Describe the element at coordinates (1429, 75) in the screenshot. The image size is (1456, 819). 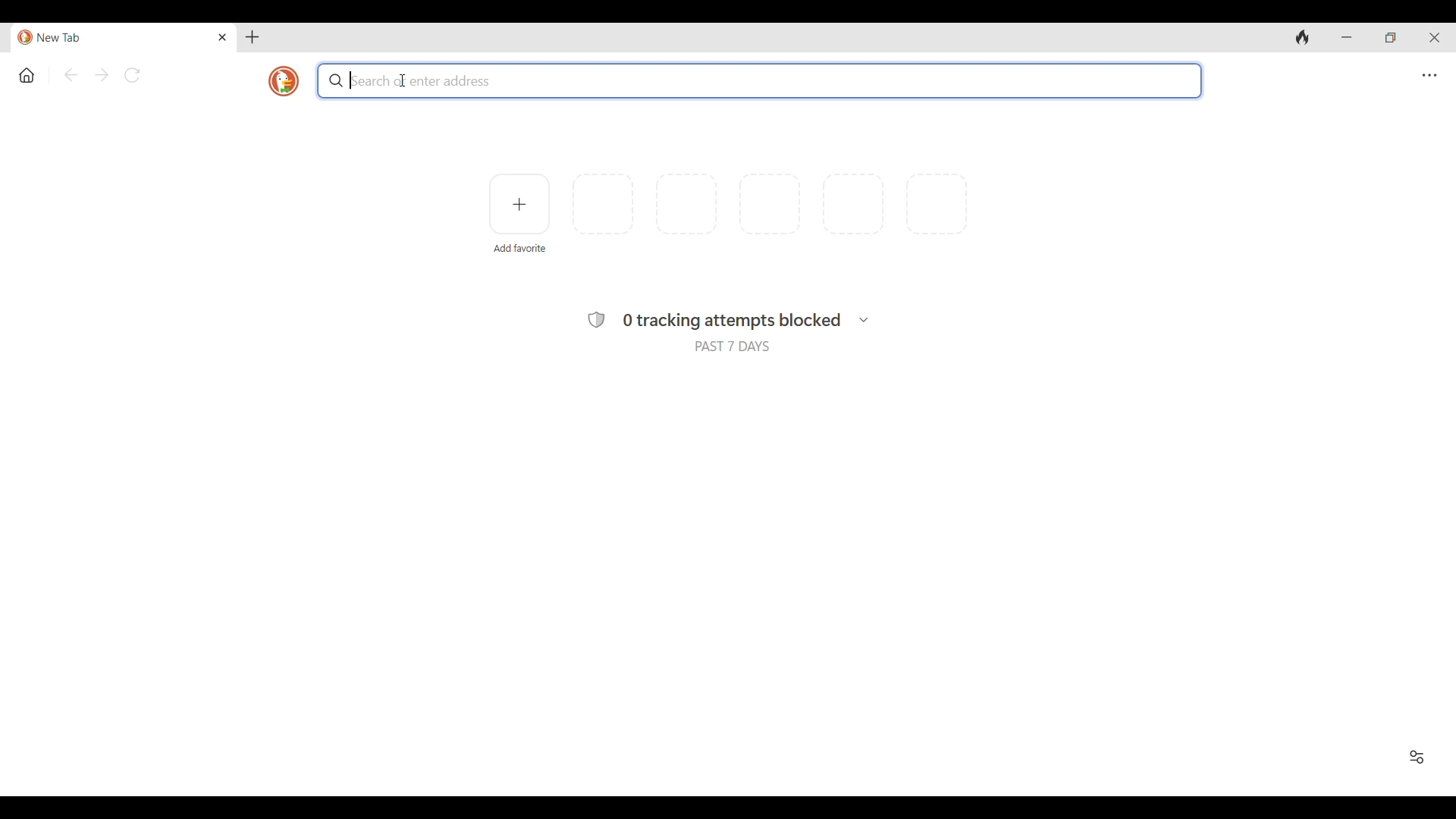
I see `Browser settings` at that location.